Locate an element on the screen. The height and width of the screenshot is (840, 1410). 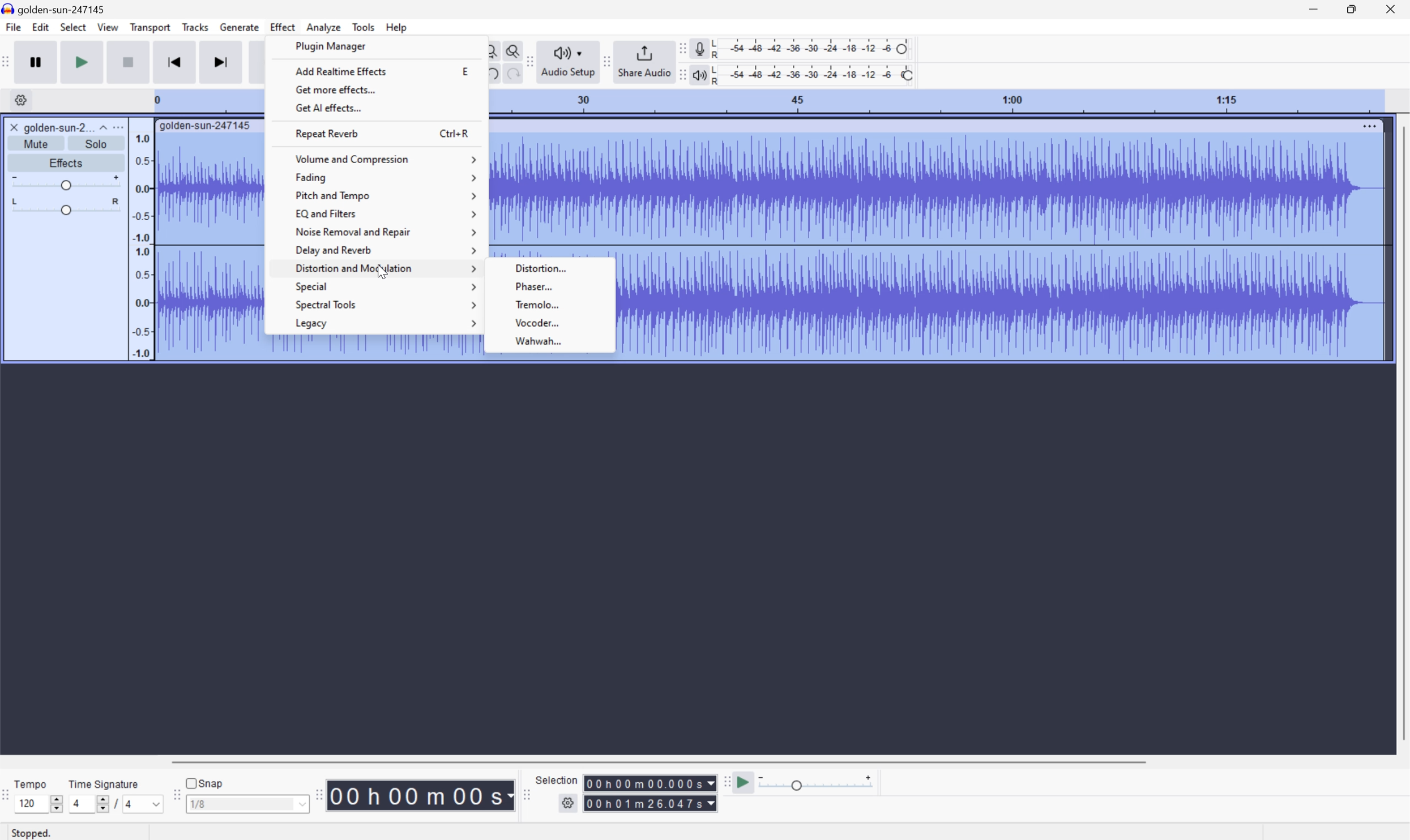
Audacity playback meter toolbar is located at coordinates (682, 74).